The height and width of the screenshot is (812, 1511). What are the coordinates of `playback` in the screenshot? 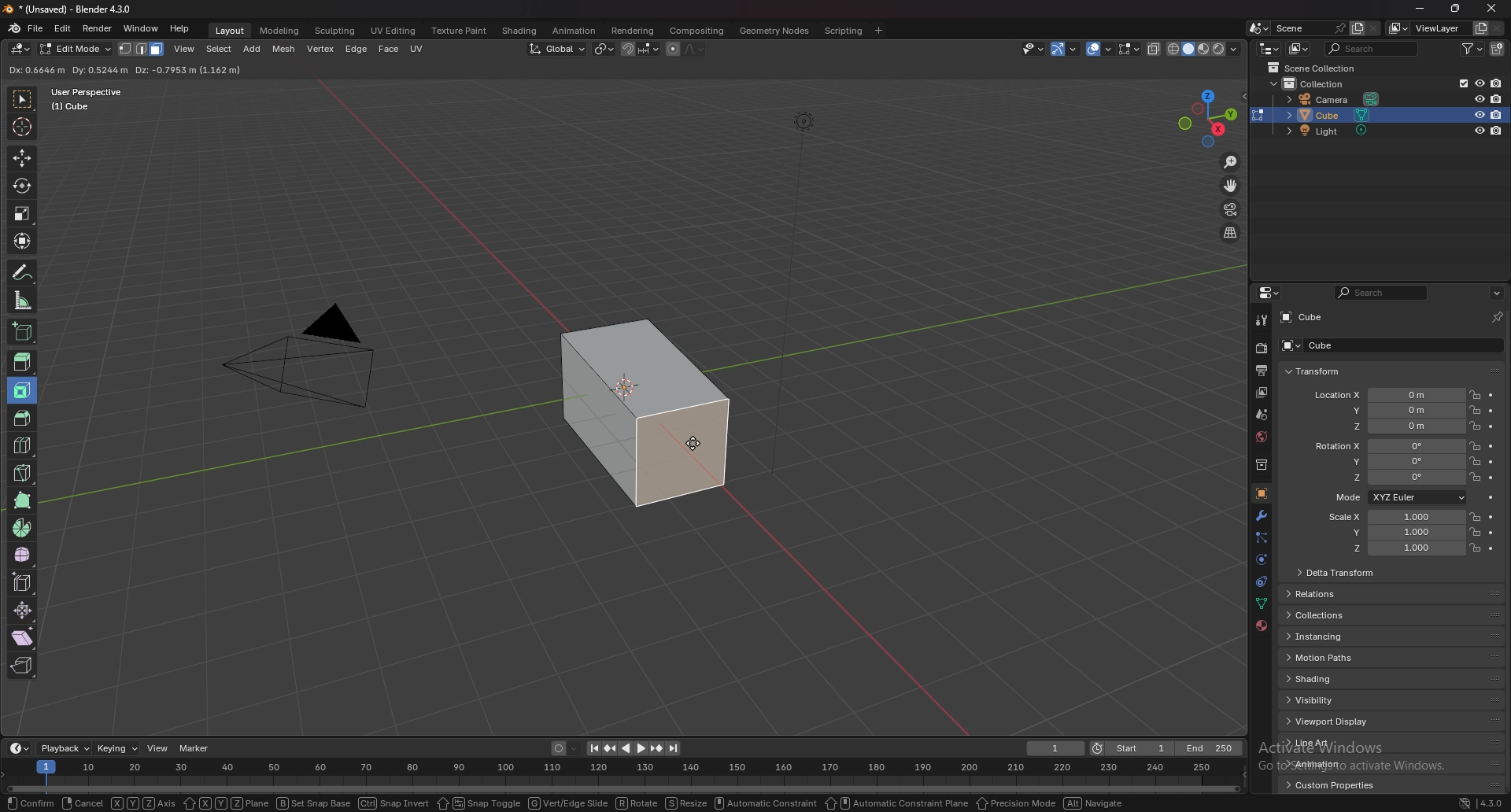 It's located at (66, 749).